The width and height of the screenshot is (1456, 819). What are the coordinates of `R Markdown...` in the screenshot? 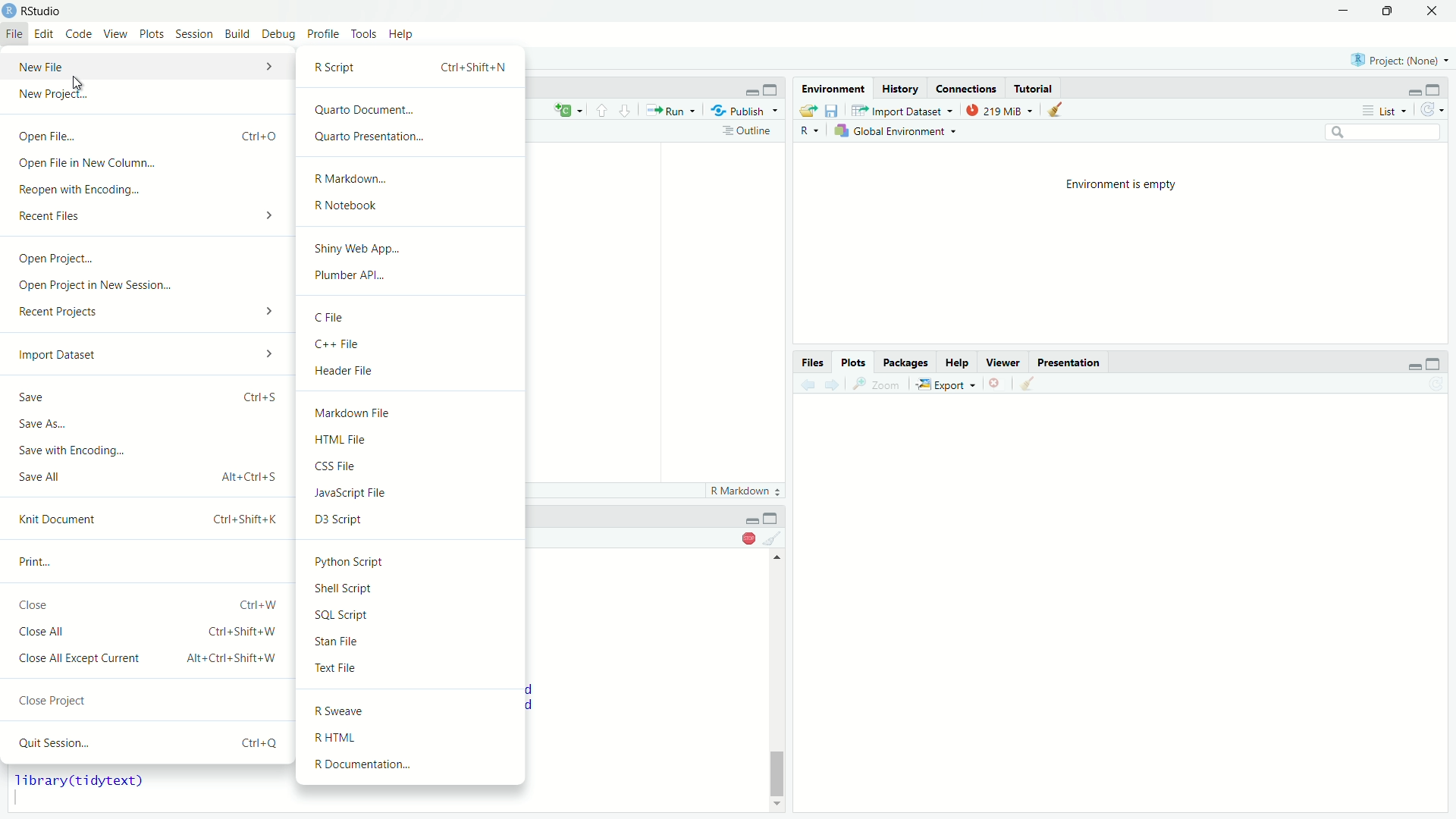 It's located at (413, 178).